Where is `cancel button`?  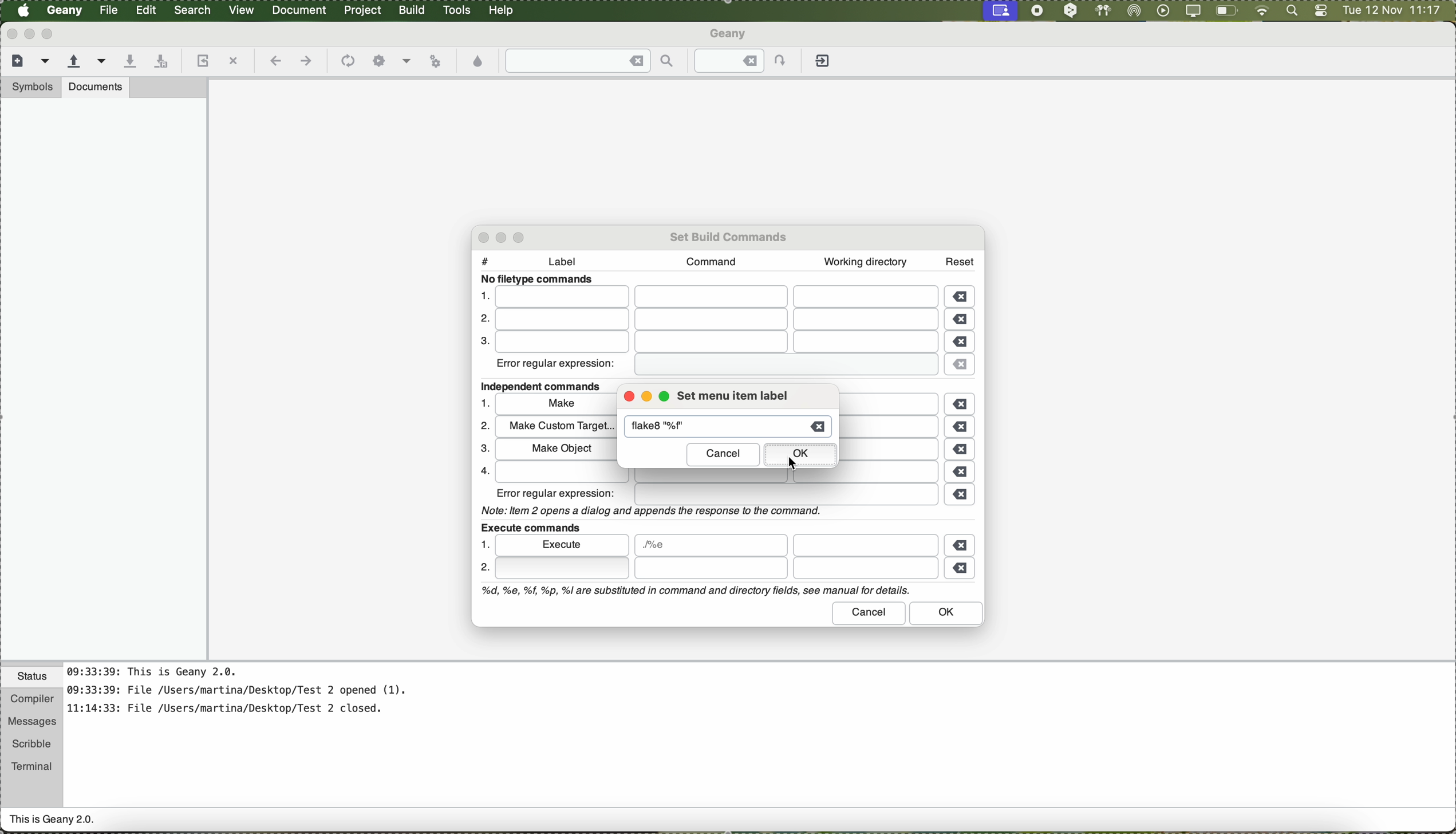 cancel button is located at coordinates (870, 613).